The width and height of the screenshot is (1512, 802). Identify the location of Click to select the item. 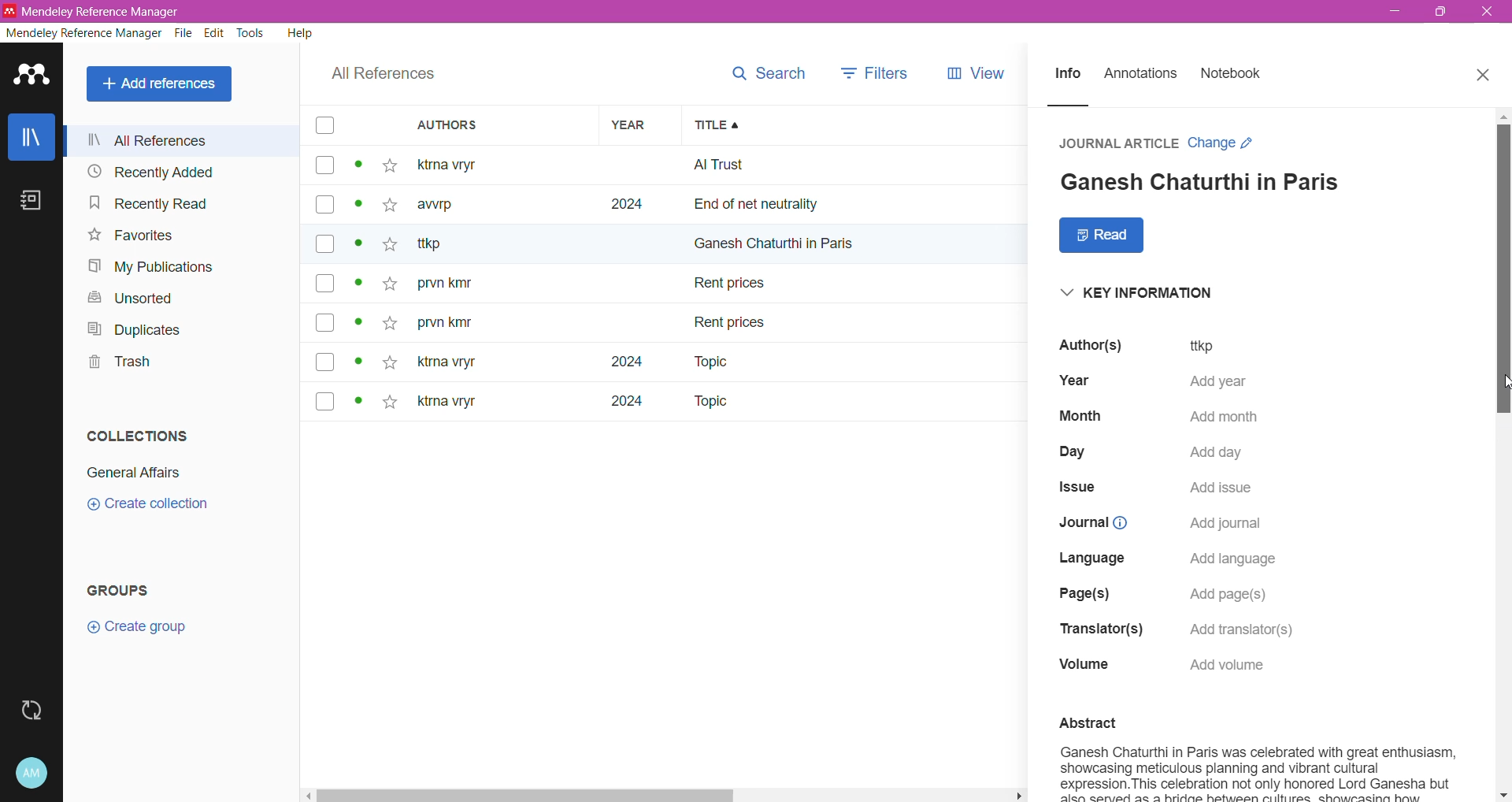
(324, 266).